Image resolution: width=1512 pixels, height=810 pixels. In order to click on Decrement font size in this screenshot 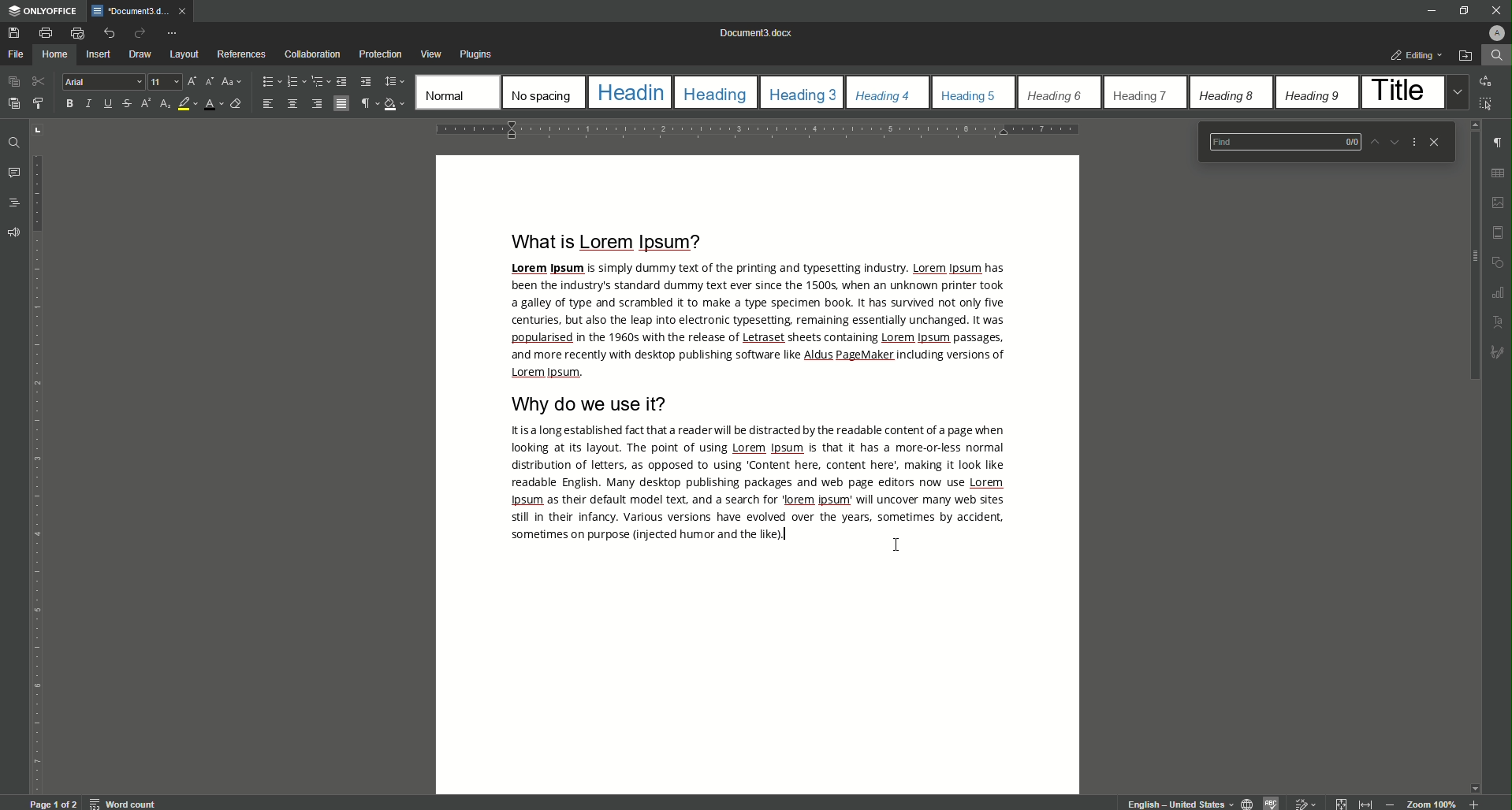, I will do `click(209, 82)`.